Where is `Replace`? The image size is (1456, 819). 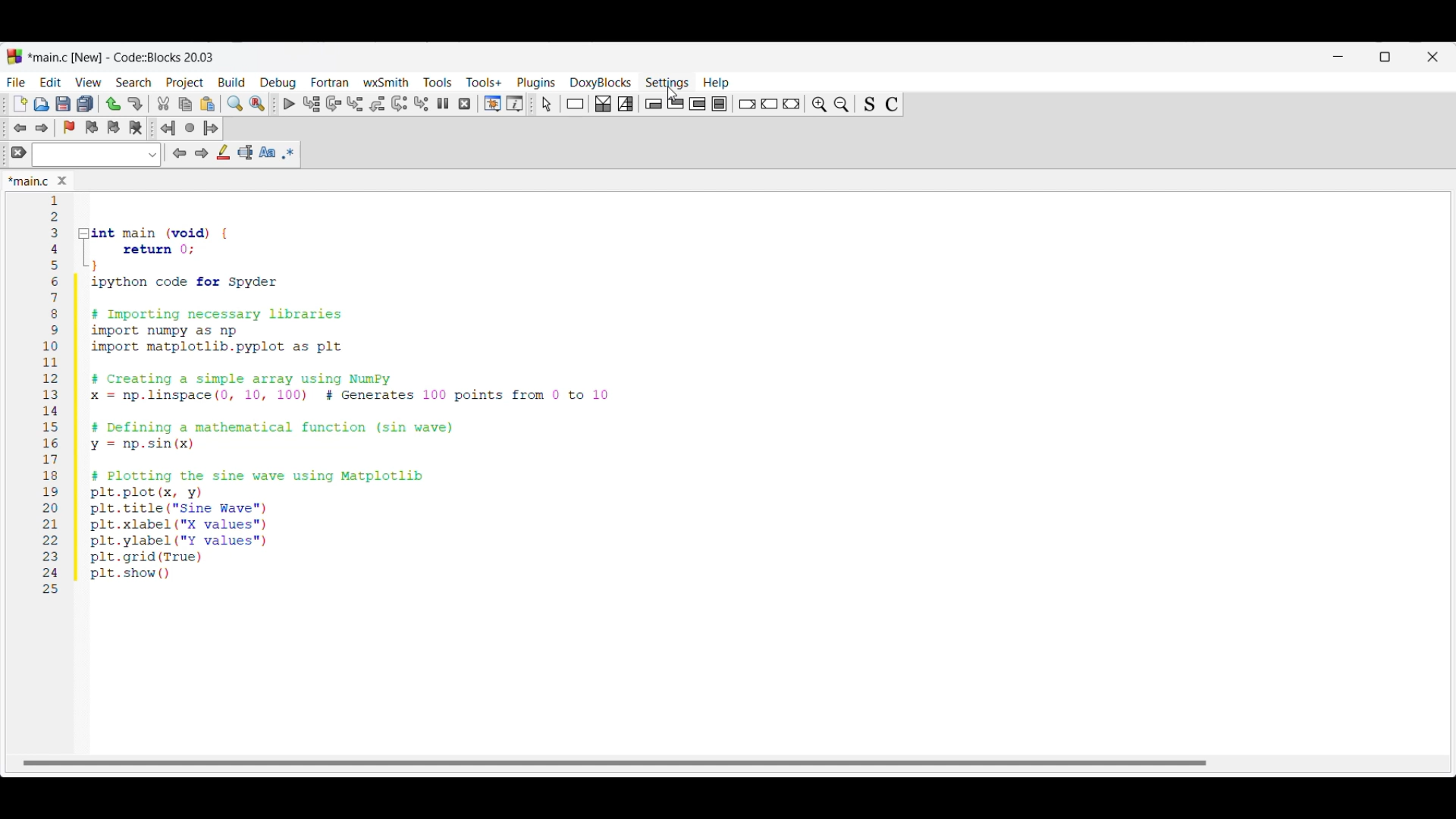 Replace is located at coordinates (257, 104).